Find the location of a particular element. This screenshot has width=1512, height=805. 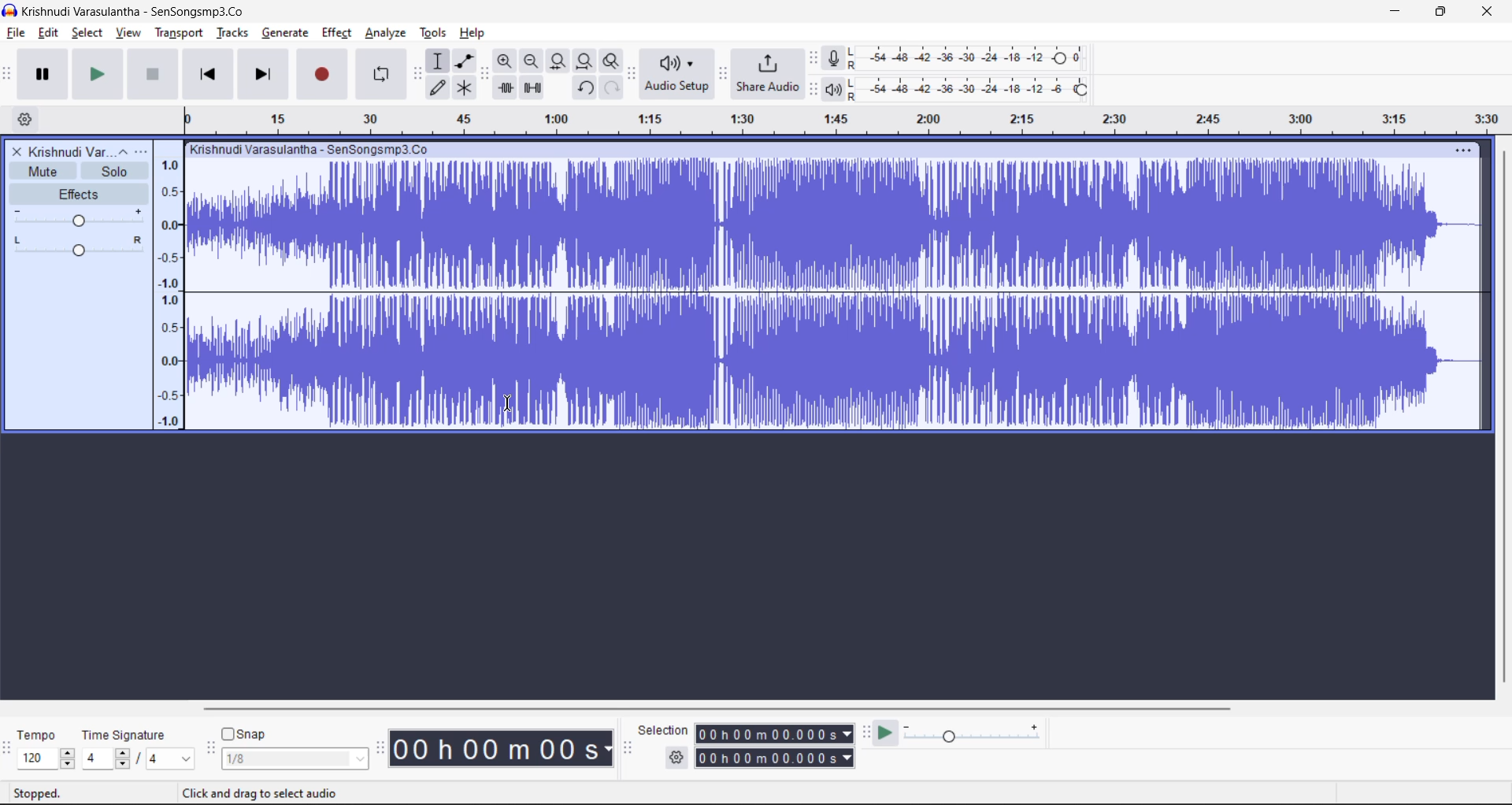

skip to start is located at coordinates (209, 73).